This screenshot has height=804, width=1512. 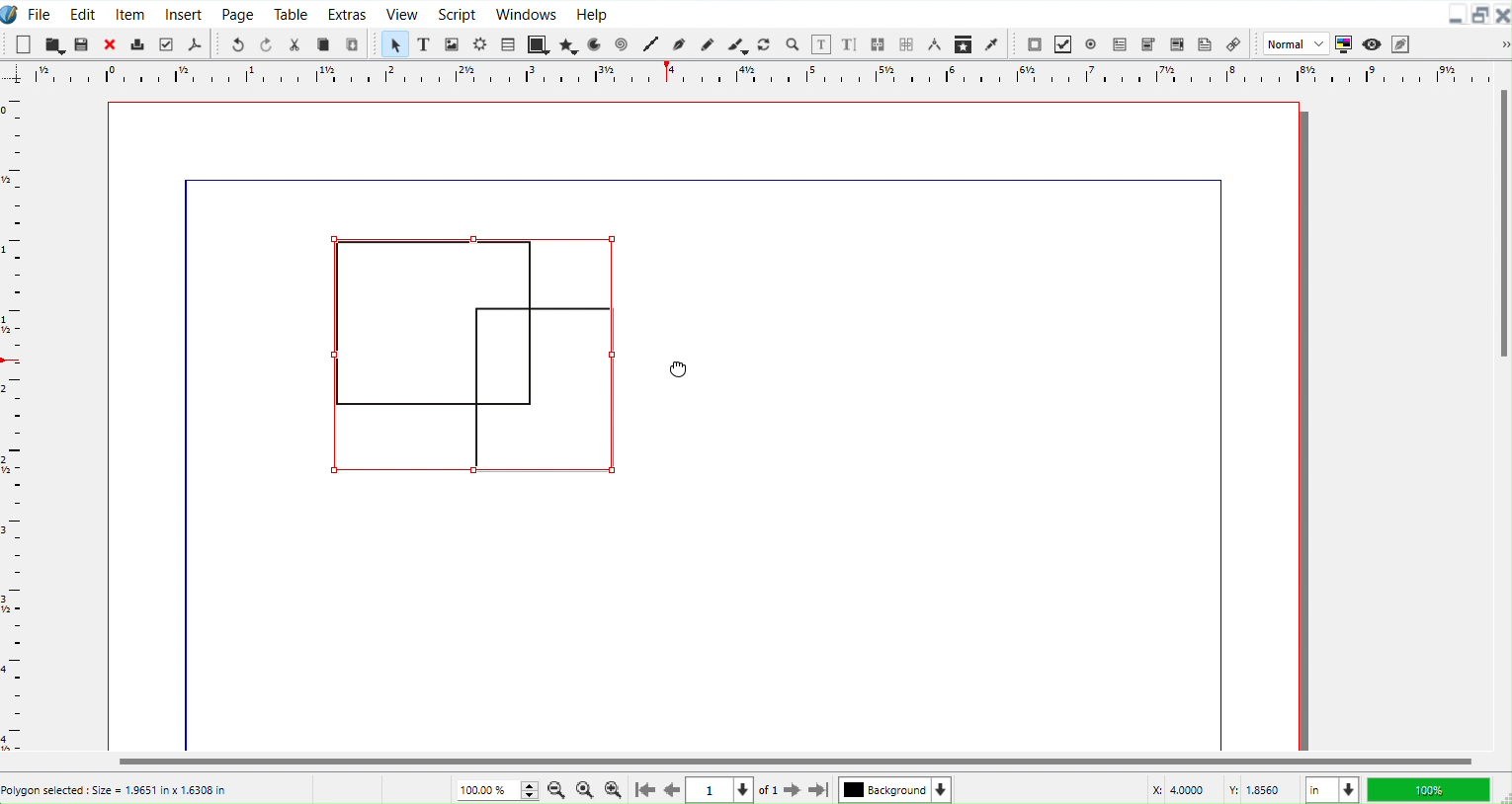 What do you see at coordinates (140, 789) in the screenshot?
I see `Poligon selected : Size = 1.3755 in x 1.1558 in’` at bounding box center [140, 789].